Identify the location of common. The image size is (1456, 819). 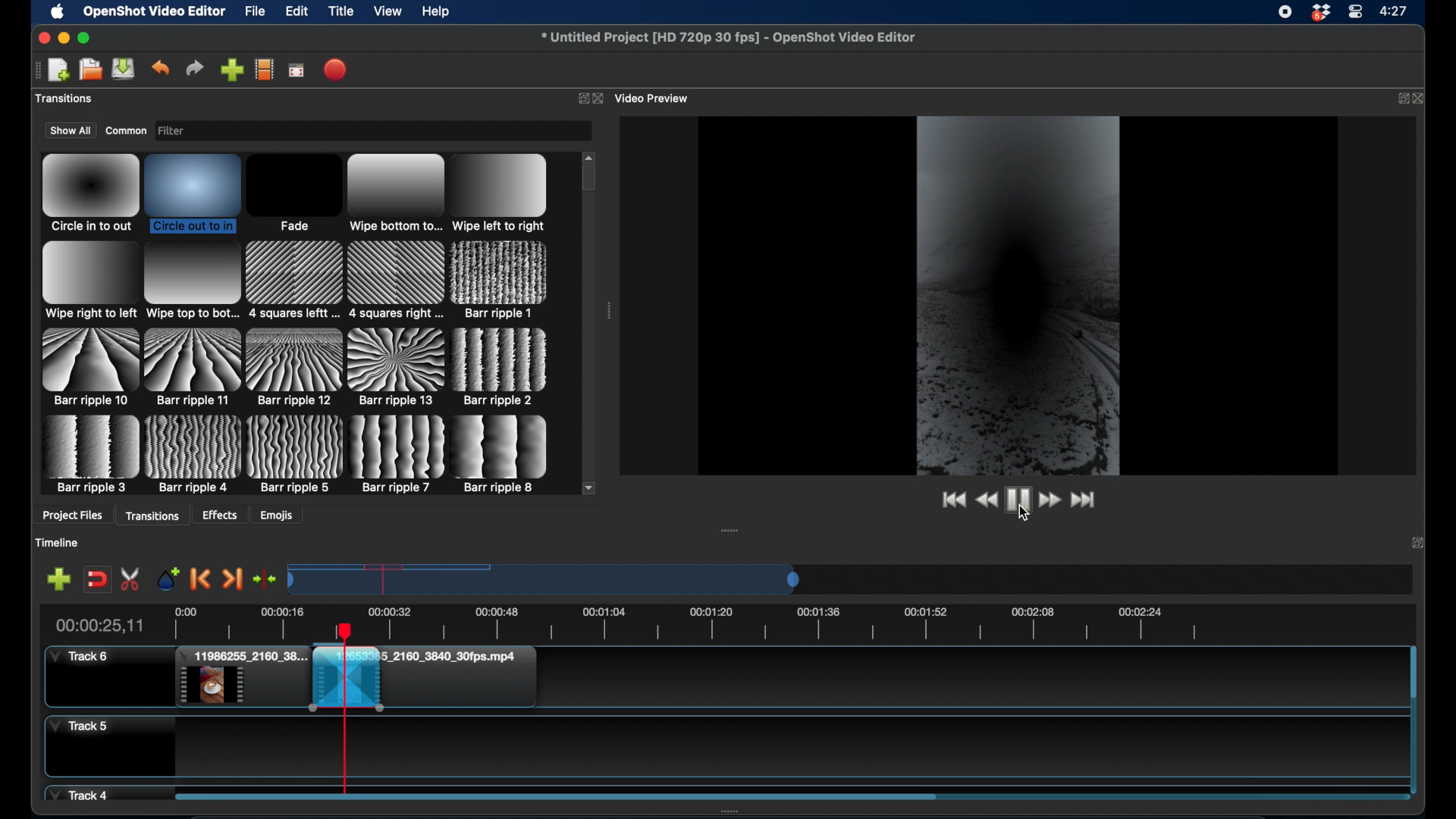
(126, 130).